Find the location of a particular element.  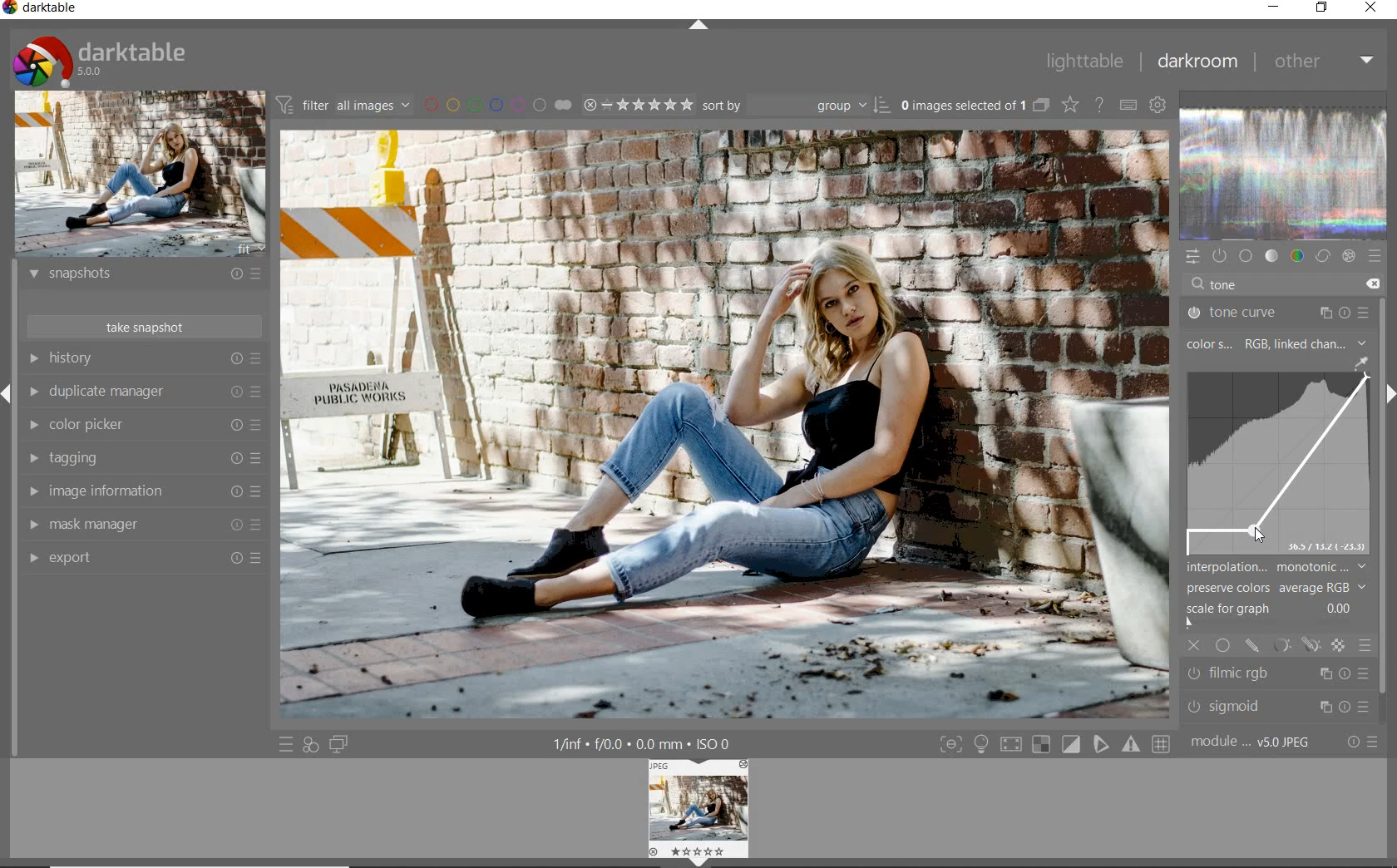

system name is located at coordinates (45, 10).